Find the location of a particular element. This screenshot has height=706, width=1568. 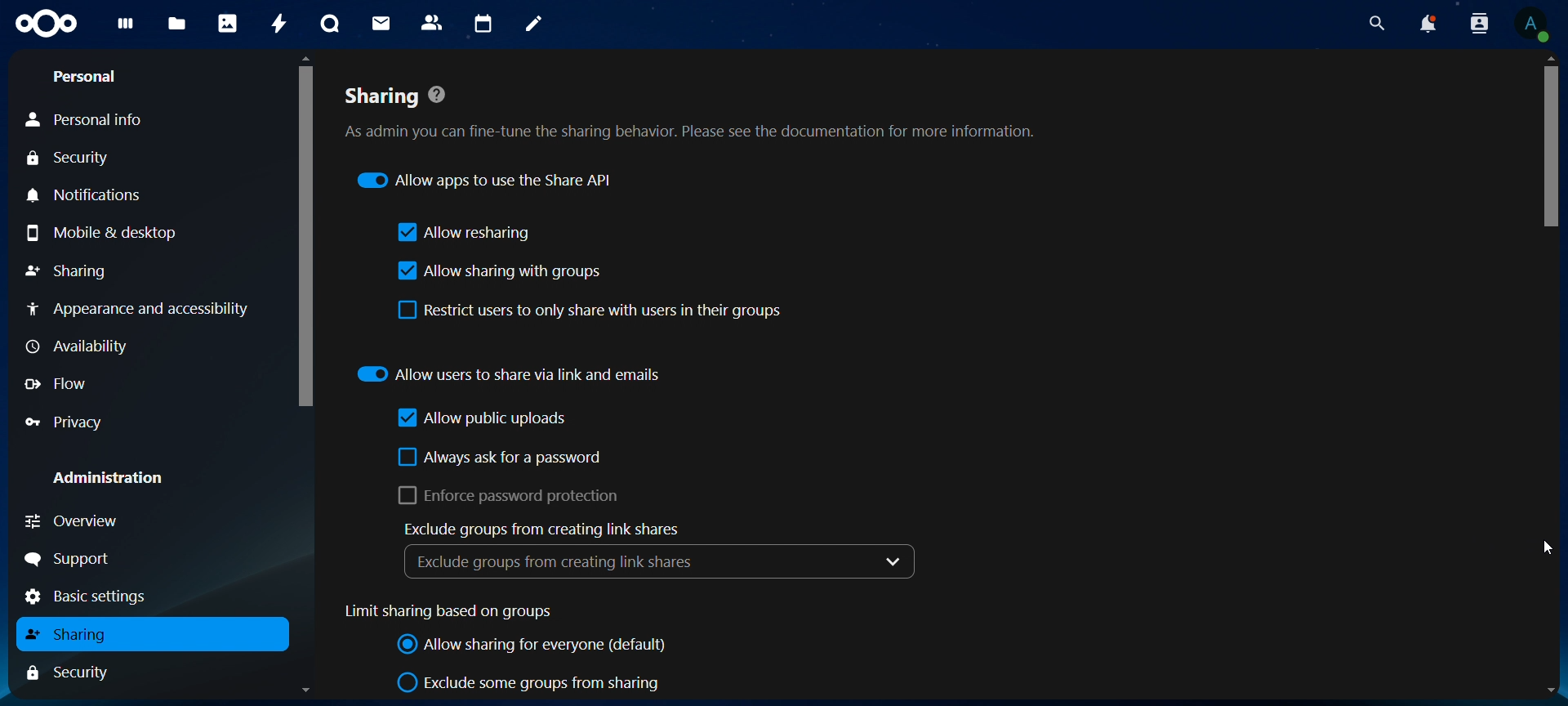

icon is located at coordinates (51, 24).